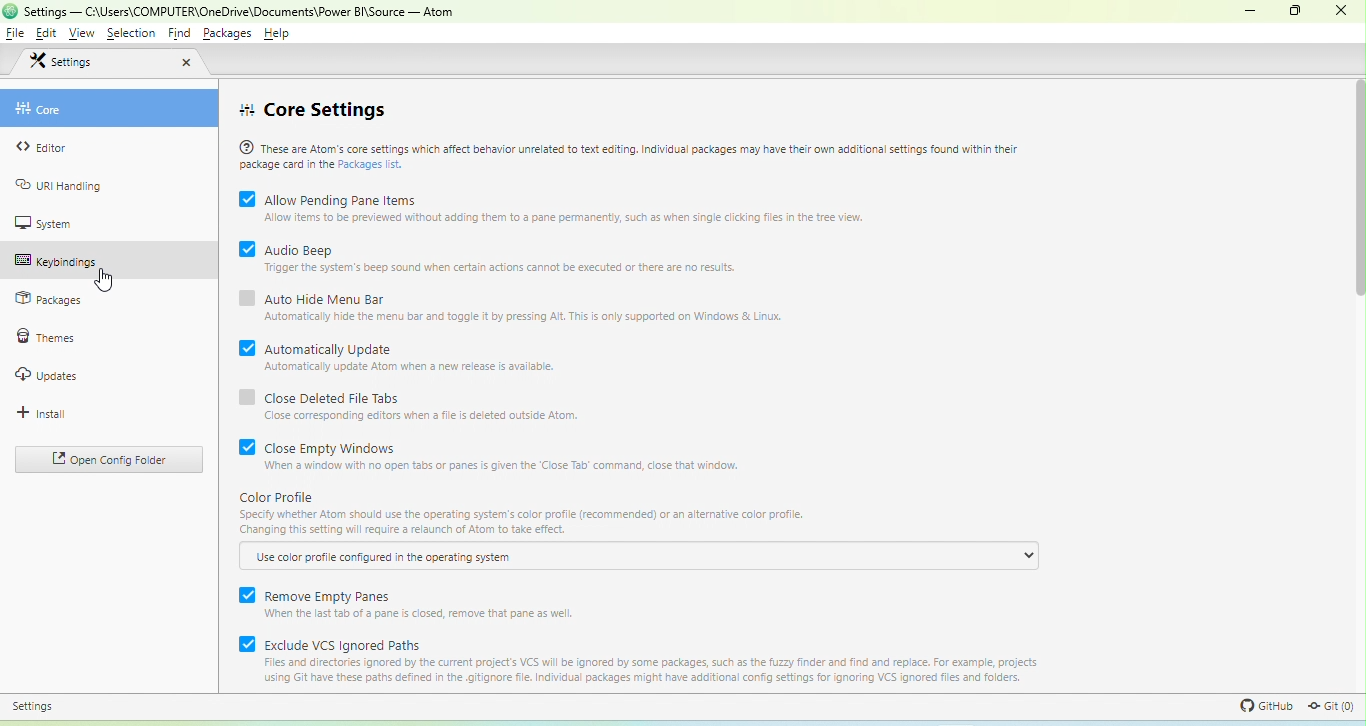  What do you see at coordinates (322, 396) in the screenshot?
I see `close deleted file tabs` at bounding box center [322, 396].